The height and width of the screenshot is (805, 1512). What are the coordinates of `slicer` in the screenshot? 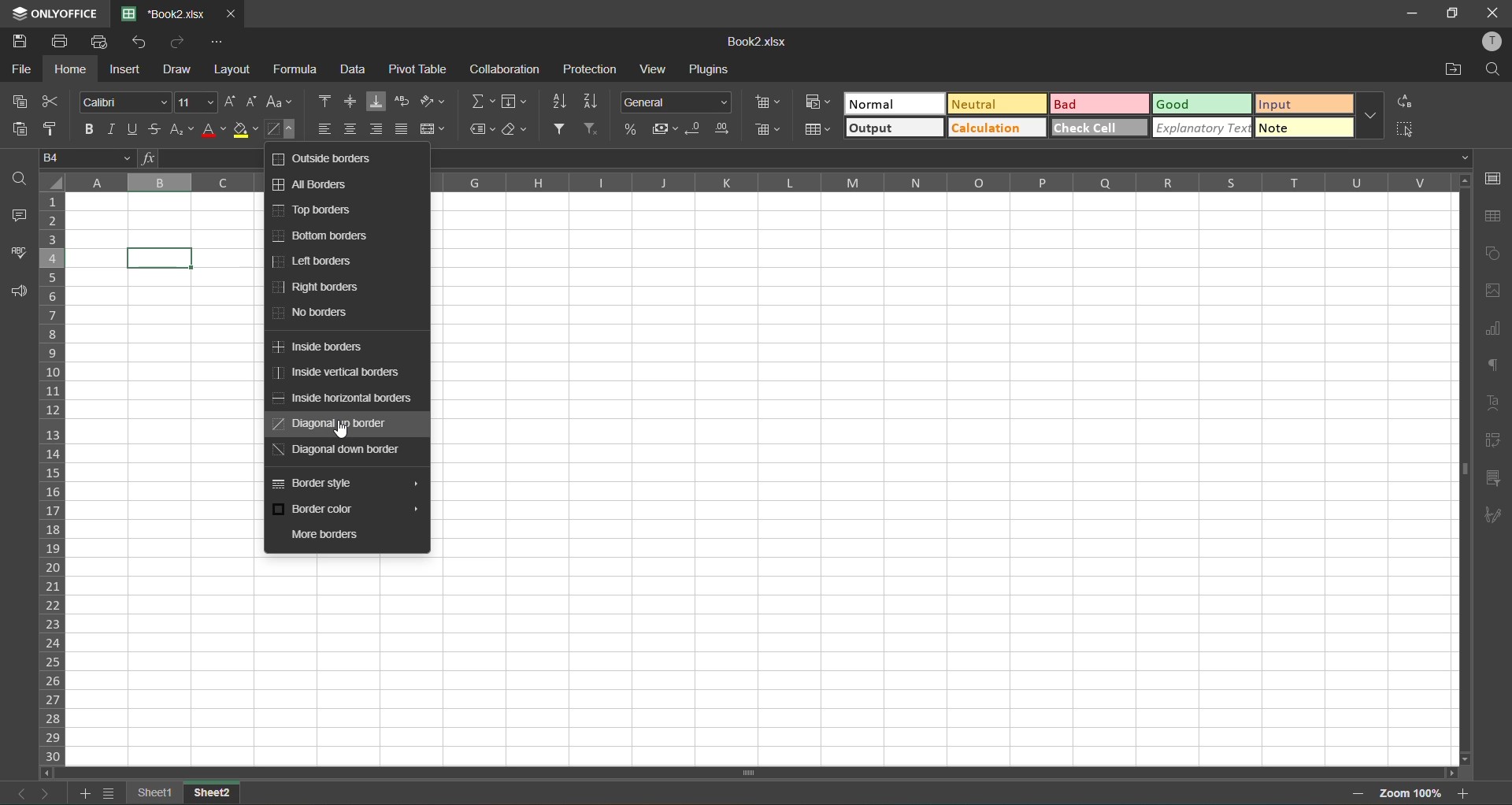 It's located at (1492, 478).